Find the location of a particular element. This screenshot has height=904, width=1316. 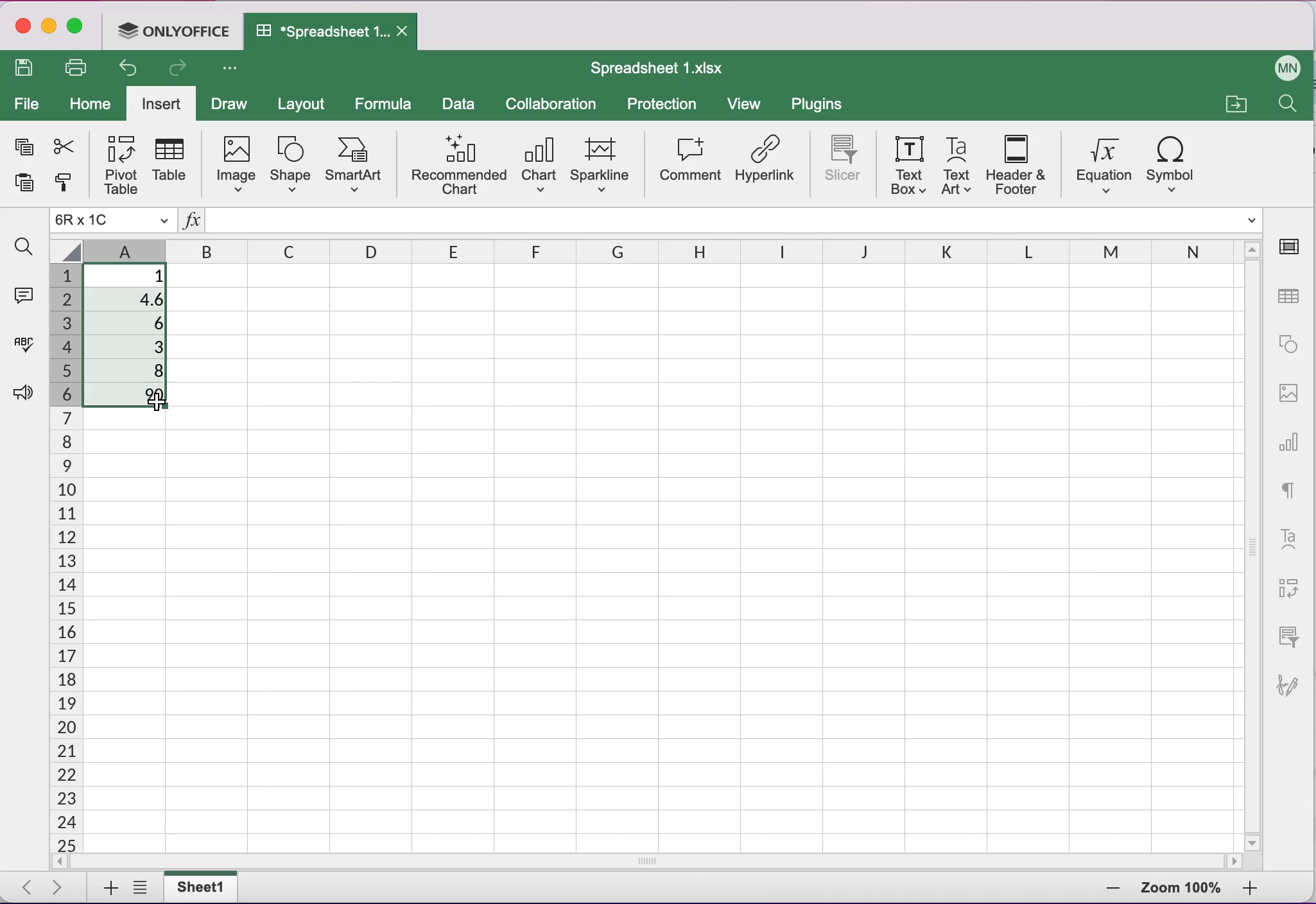

list of sheets is located at coordinates (140, 889).